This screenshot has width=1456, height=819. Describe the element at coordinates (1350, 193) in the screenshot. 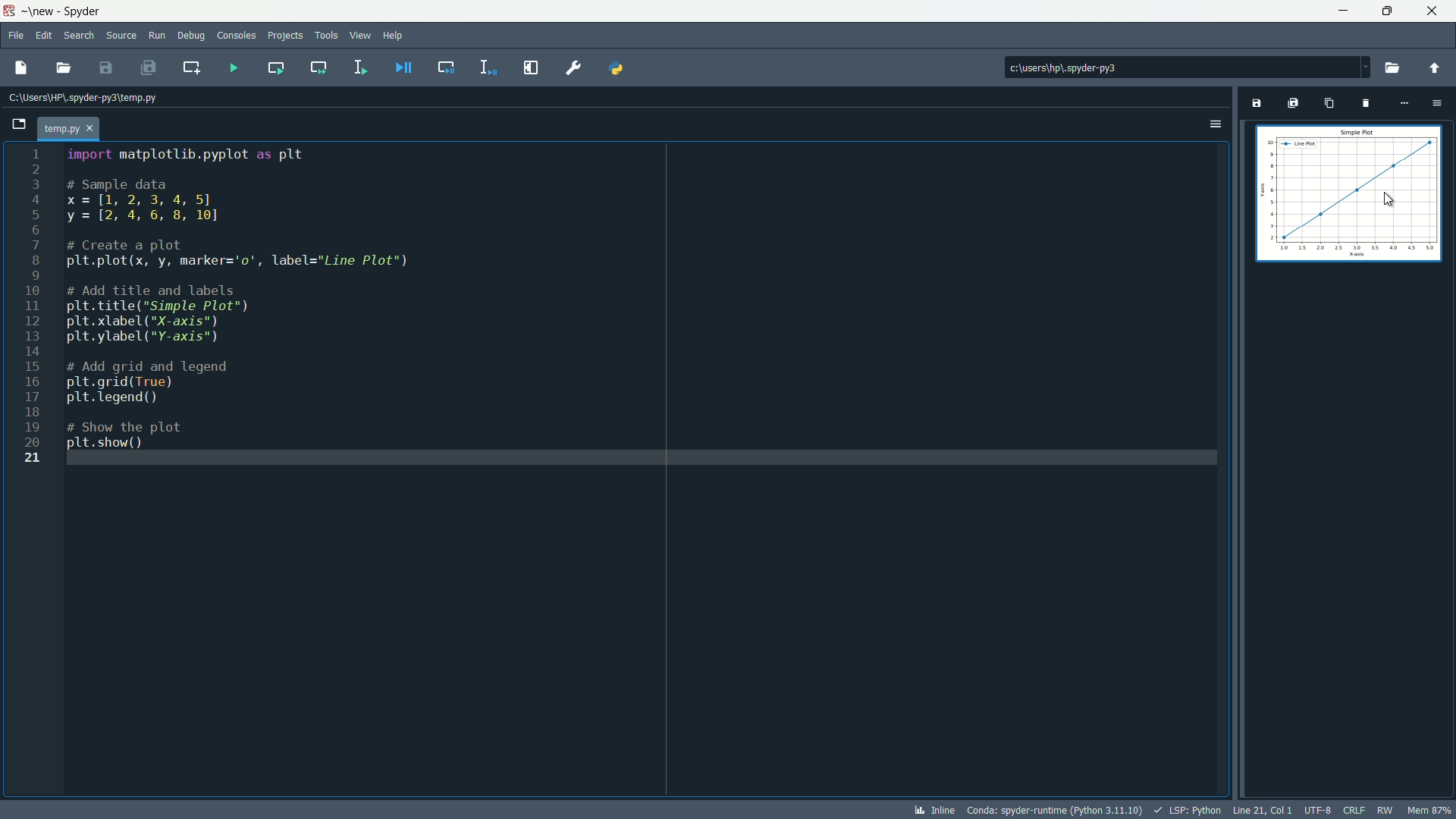

I see `graph` at that location.